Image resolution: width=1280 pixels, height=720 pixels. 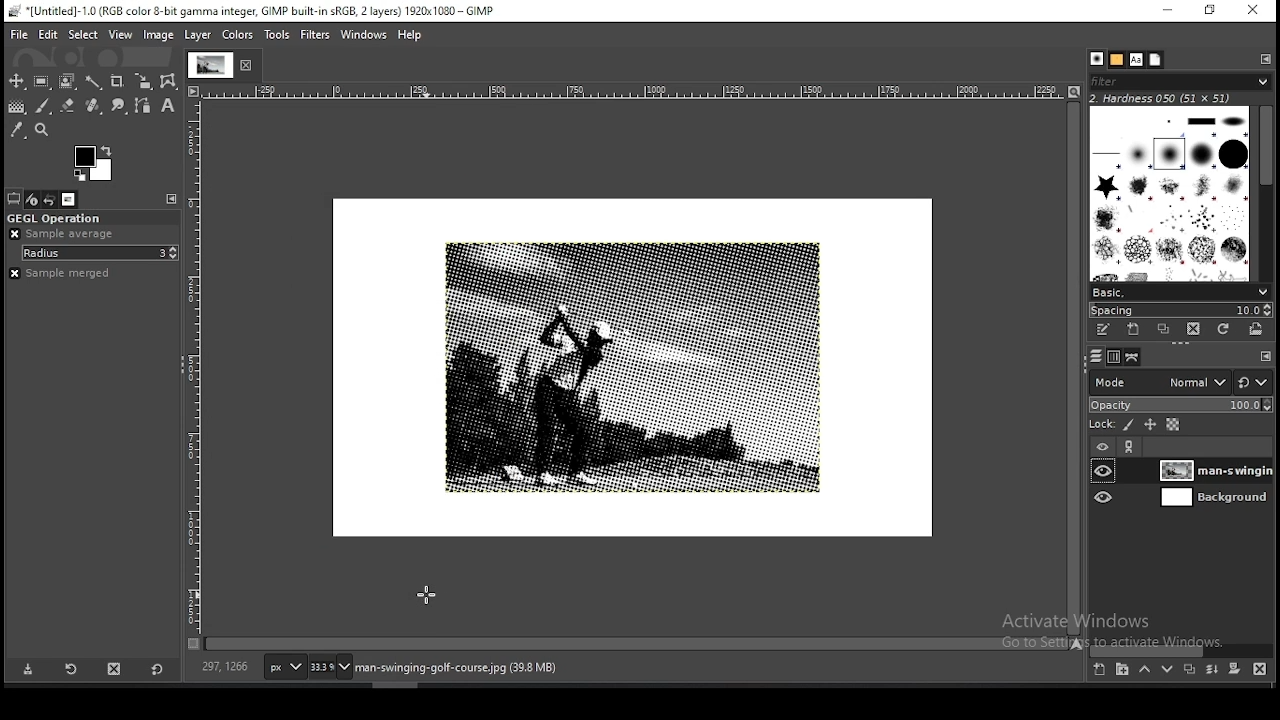 What do you see at coordinates (119, 105) in the screenshot?
I see `smudge tool` at bounding box center [119, 105].